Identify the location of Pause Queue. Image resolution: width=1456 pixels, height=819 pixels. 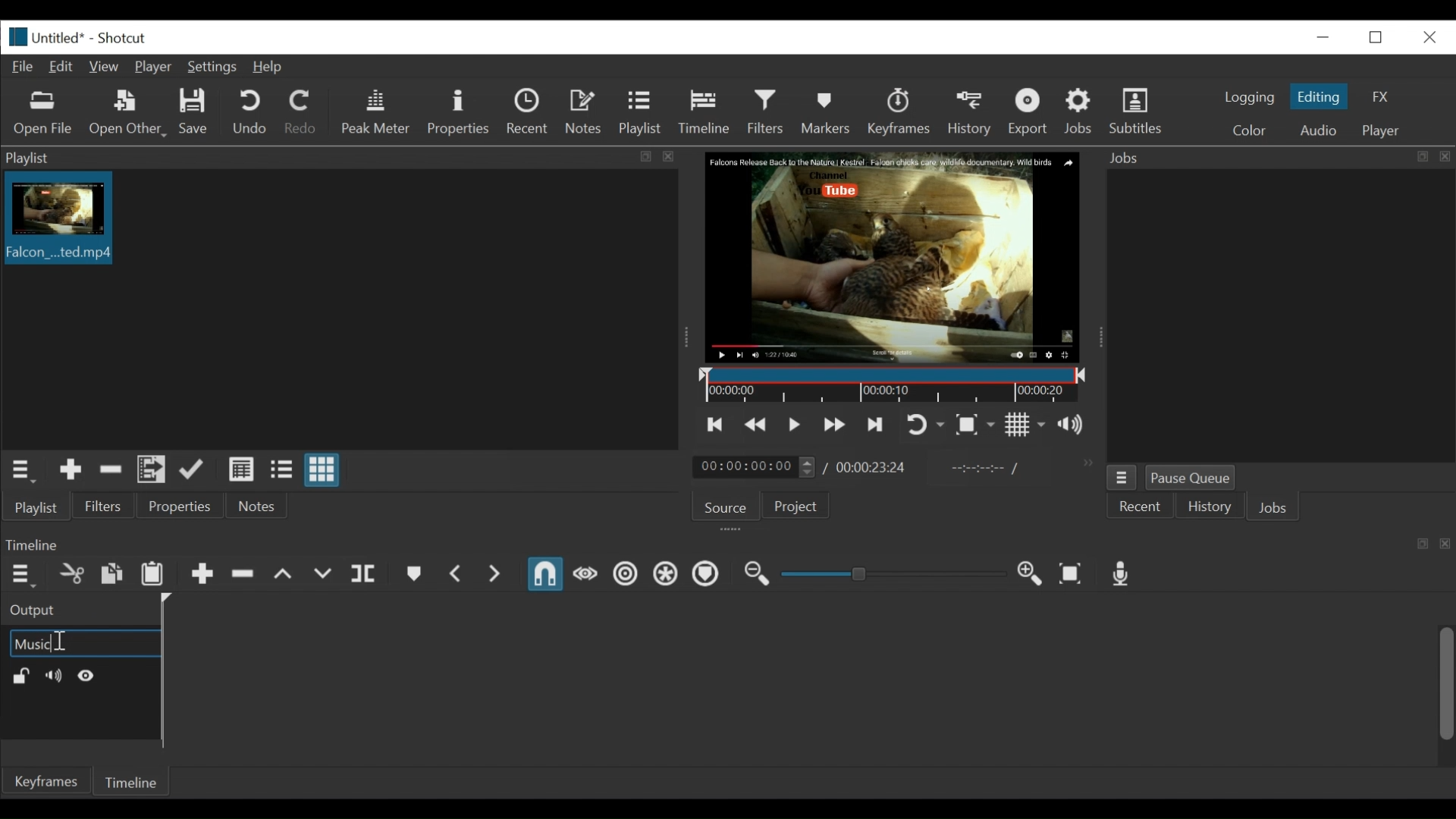
(1195, 479).